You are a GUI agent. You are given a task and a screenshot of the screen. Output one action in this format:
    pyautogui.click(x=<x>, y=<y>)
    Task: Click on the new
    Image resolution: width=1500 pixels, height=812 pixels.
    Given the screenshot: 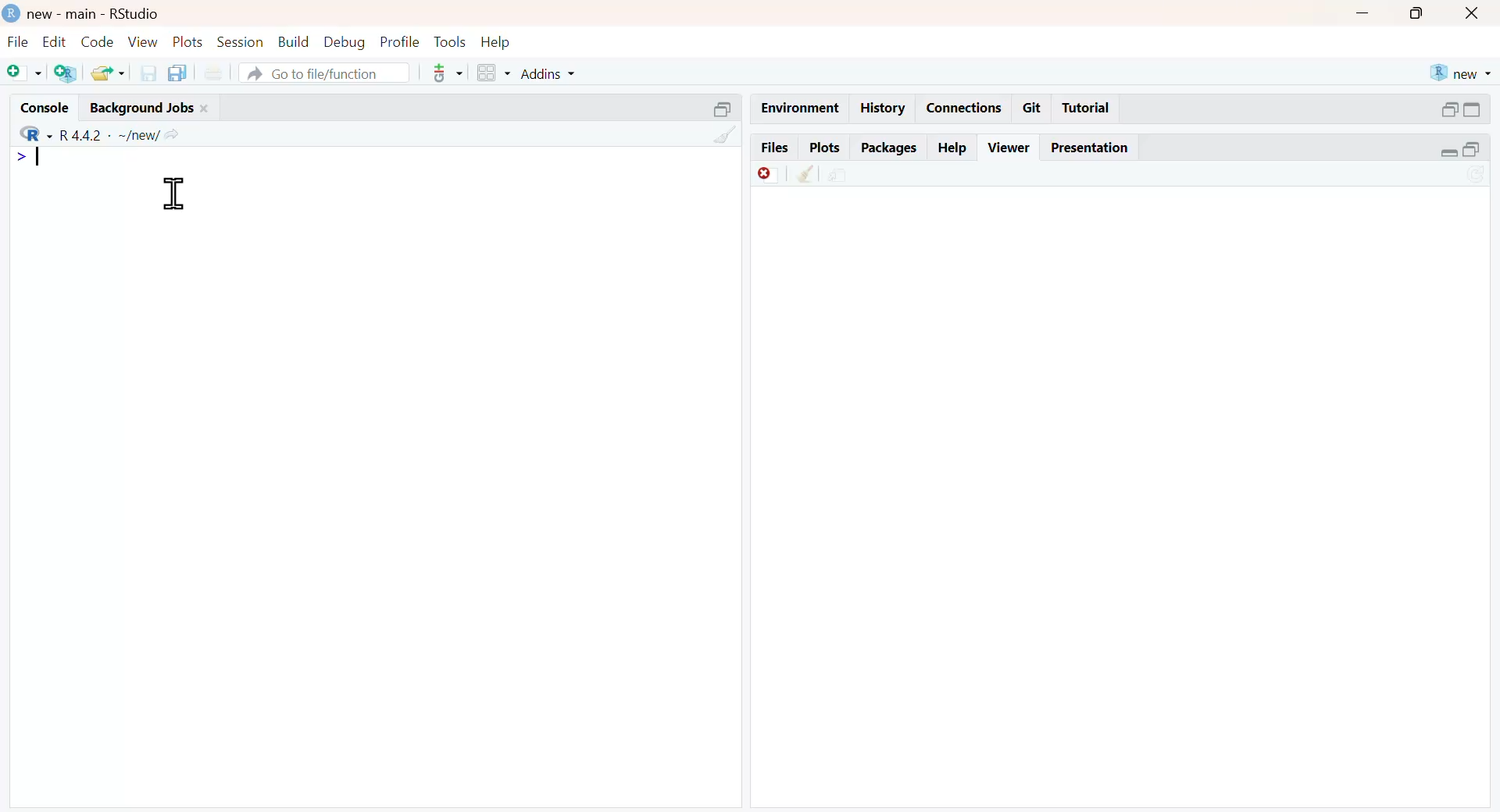 What is the action you would take?
    pyautogui.click(x=1462, y=74)
    